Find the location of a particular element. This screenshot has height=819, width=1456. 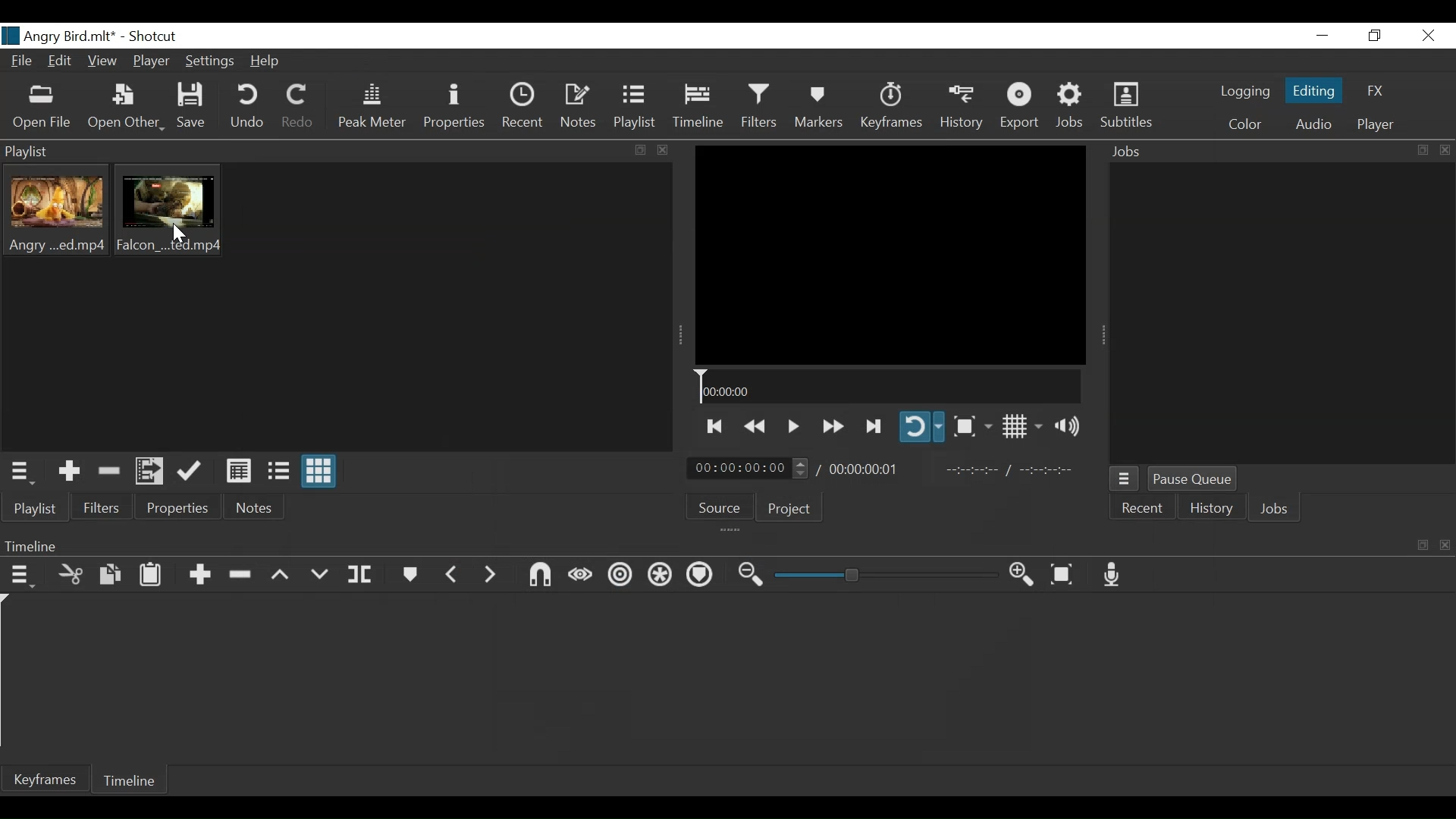

In point is located at coordinates (1015, 470).